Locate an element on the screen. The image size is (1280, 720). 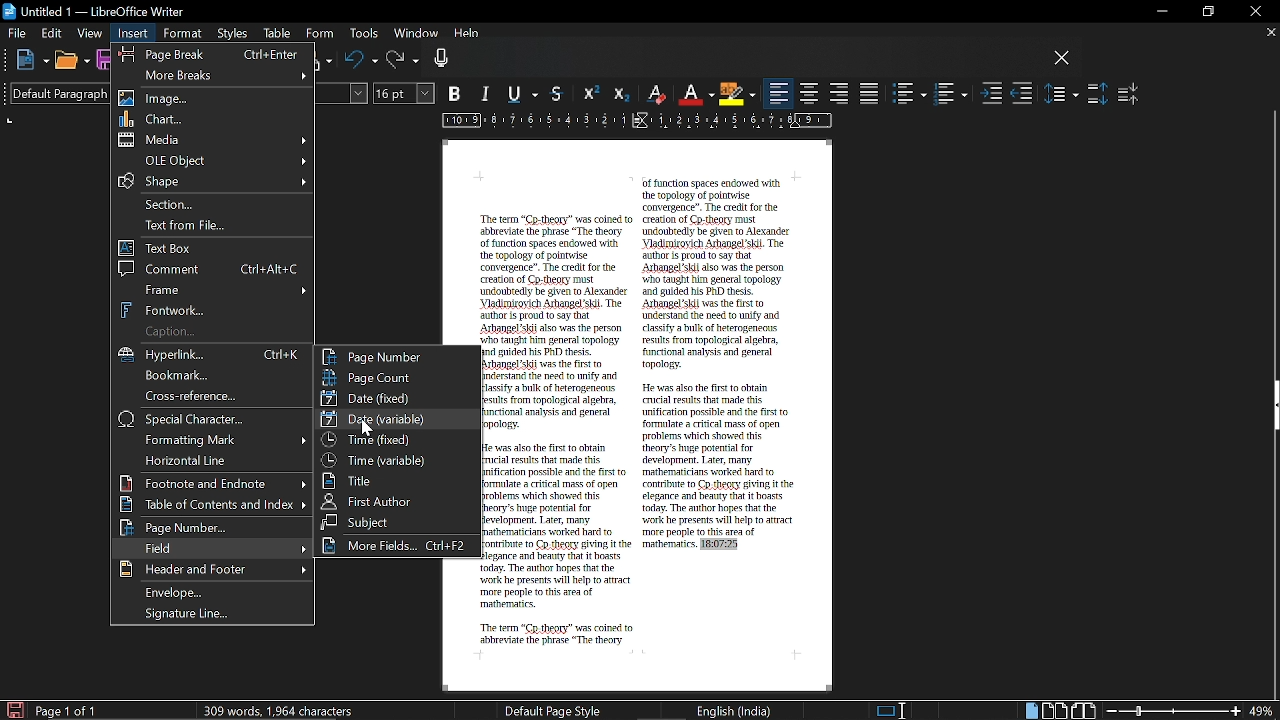
page 1 of 1 is located at coordinates (70, 711).